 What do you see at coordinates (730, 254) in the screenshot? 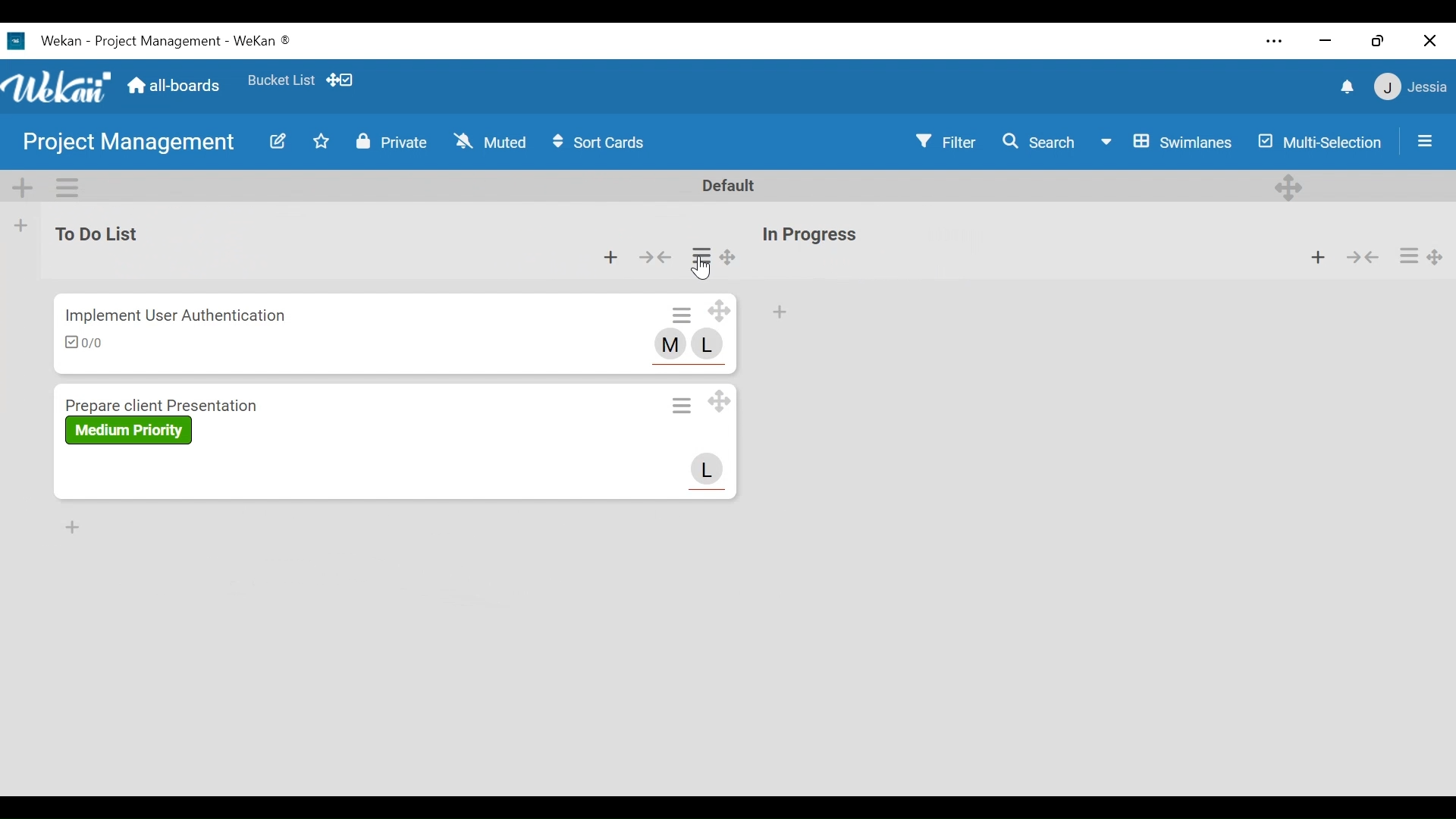
I see `Drag` at bounding box center [730, 254].